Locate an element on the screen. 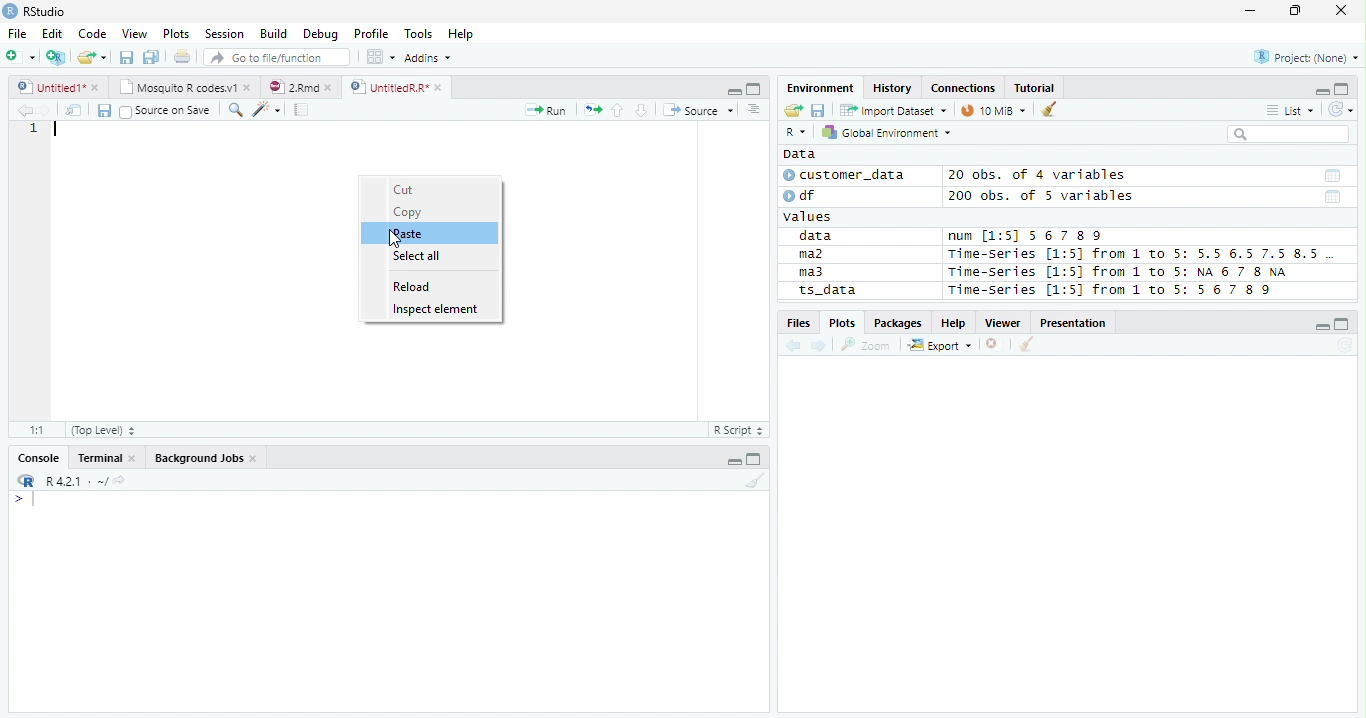  200 obs. of 5 variables is located at coordinates (1038, 198).